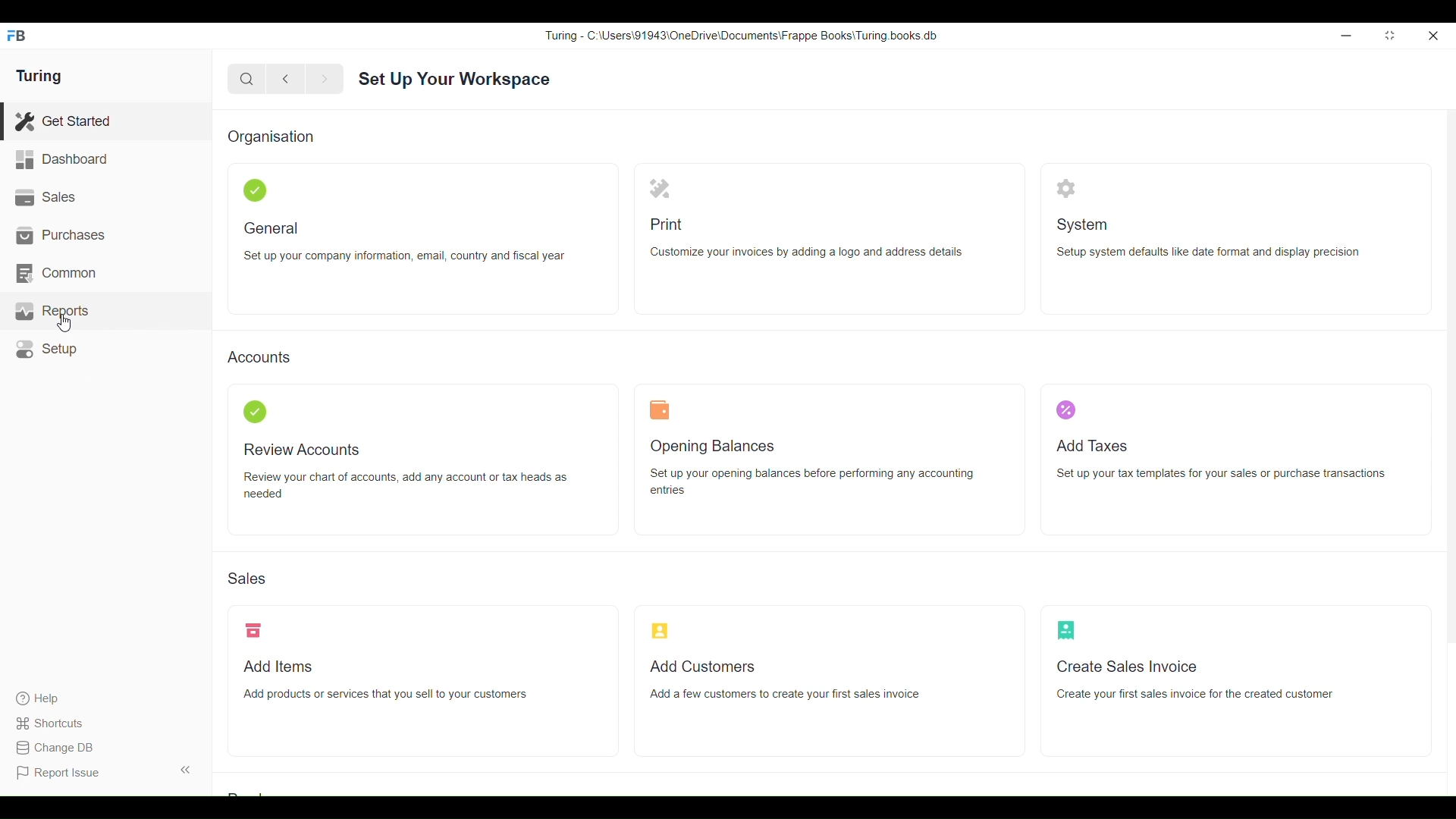 This screenshot has height=819, width=1456. What do you see at coordinates (1208, 238) in the screenshot?
I see `System Setup system defaults like date format and display precision` at bounding box center [1208, 238].